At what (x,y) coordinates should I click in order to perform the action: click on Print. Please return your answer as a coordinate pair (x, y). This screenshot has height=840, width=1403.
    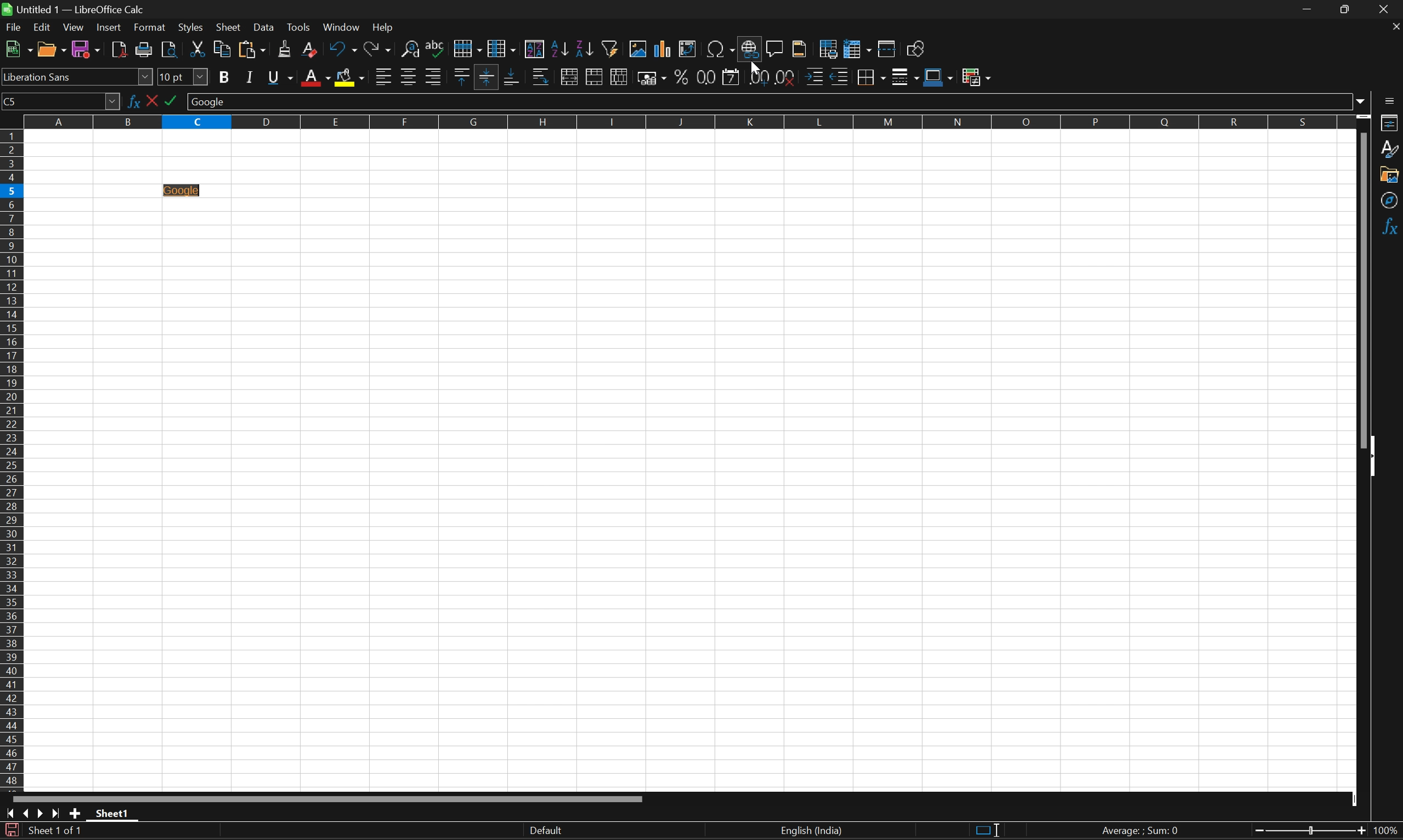
    Looking at the image, I should click on (146, 50).